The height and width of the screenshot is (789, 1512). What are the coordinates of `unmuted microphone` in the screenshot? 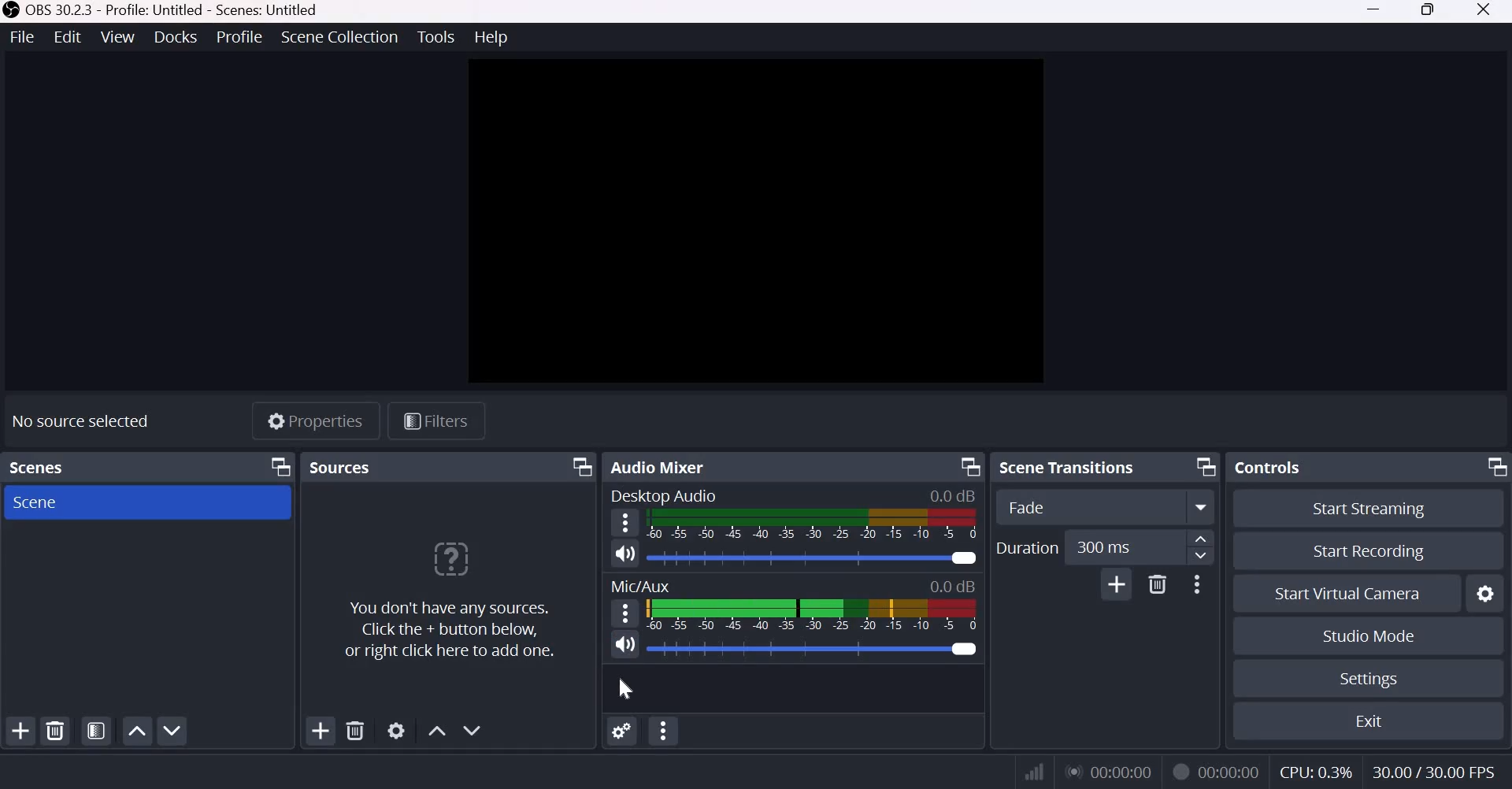 It's located at (624, 647).